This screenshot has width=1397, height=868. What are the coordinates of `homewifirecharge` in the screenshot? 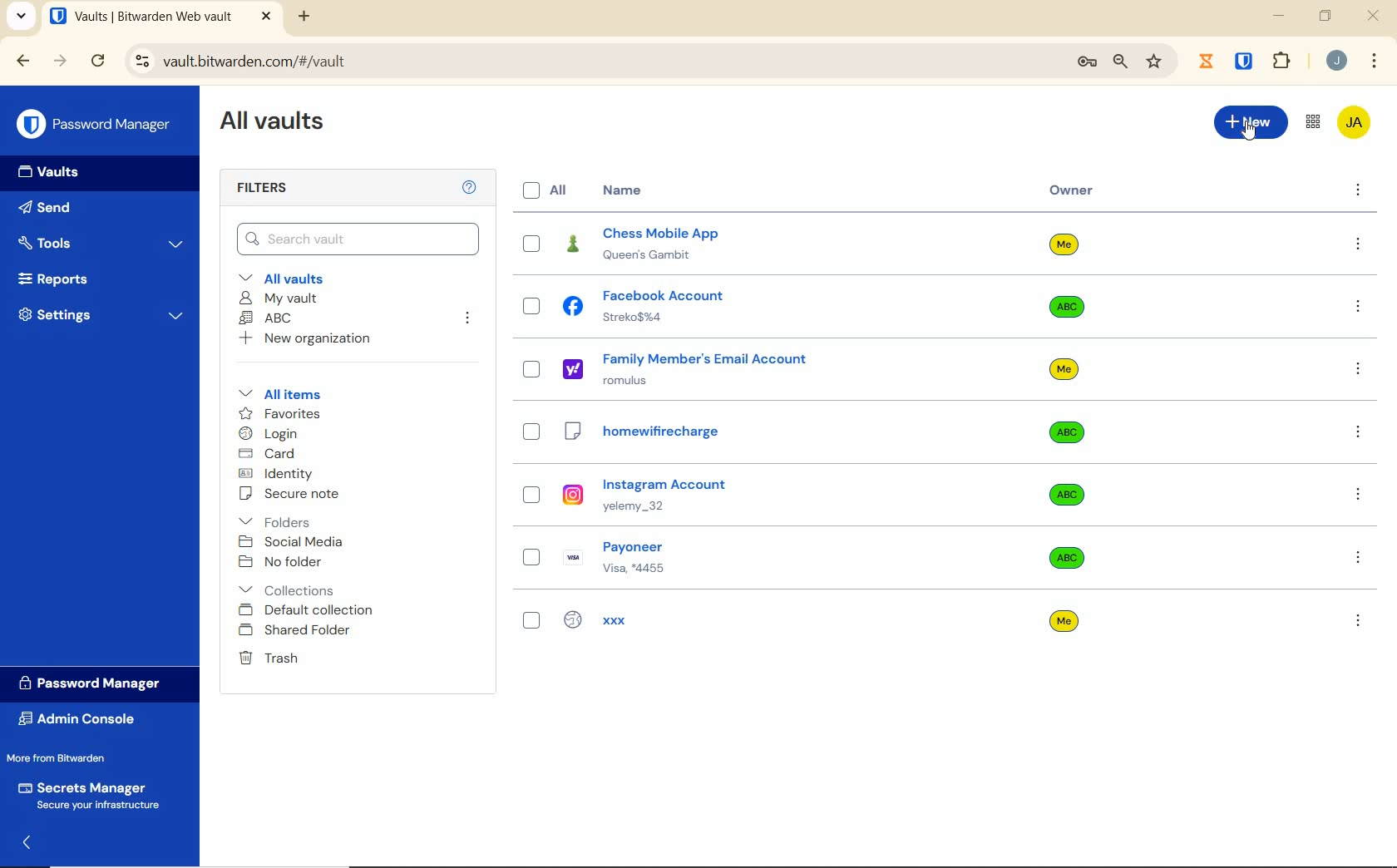 It's located at (691, 433).